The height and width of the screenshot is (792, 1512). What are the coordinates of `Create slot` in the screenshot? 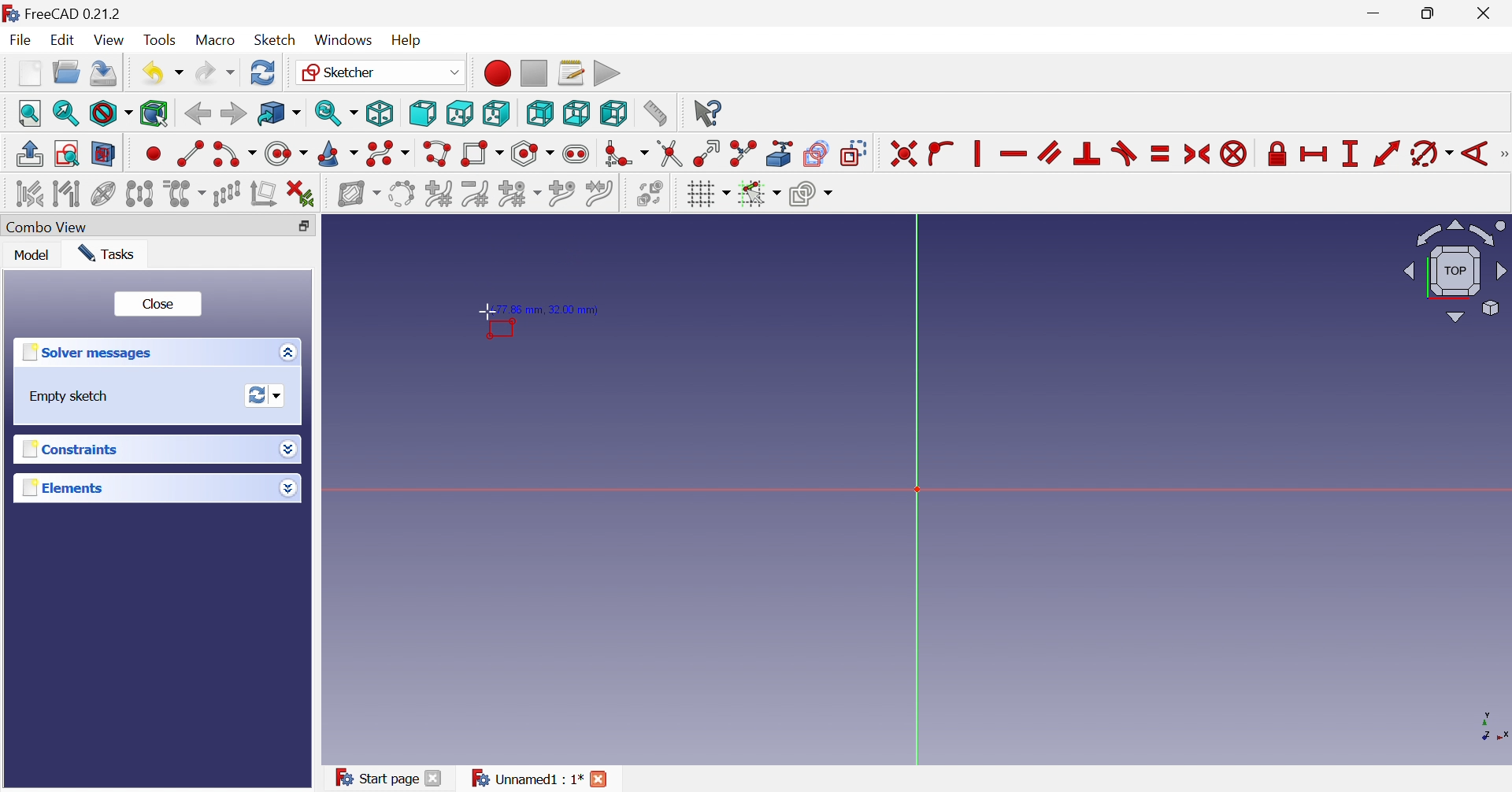 It's located at (578, 154).